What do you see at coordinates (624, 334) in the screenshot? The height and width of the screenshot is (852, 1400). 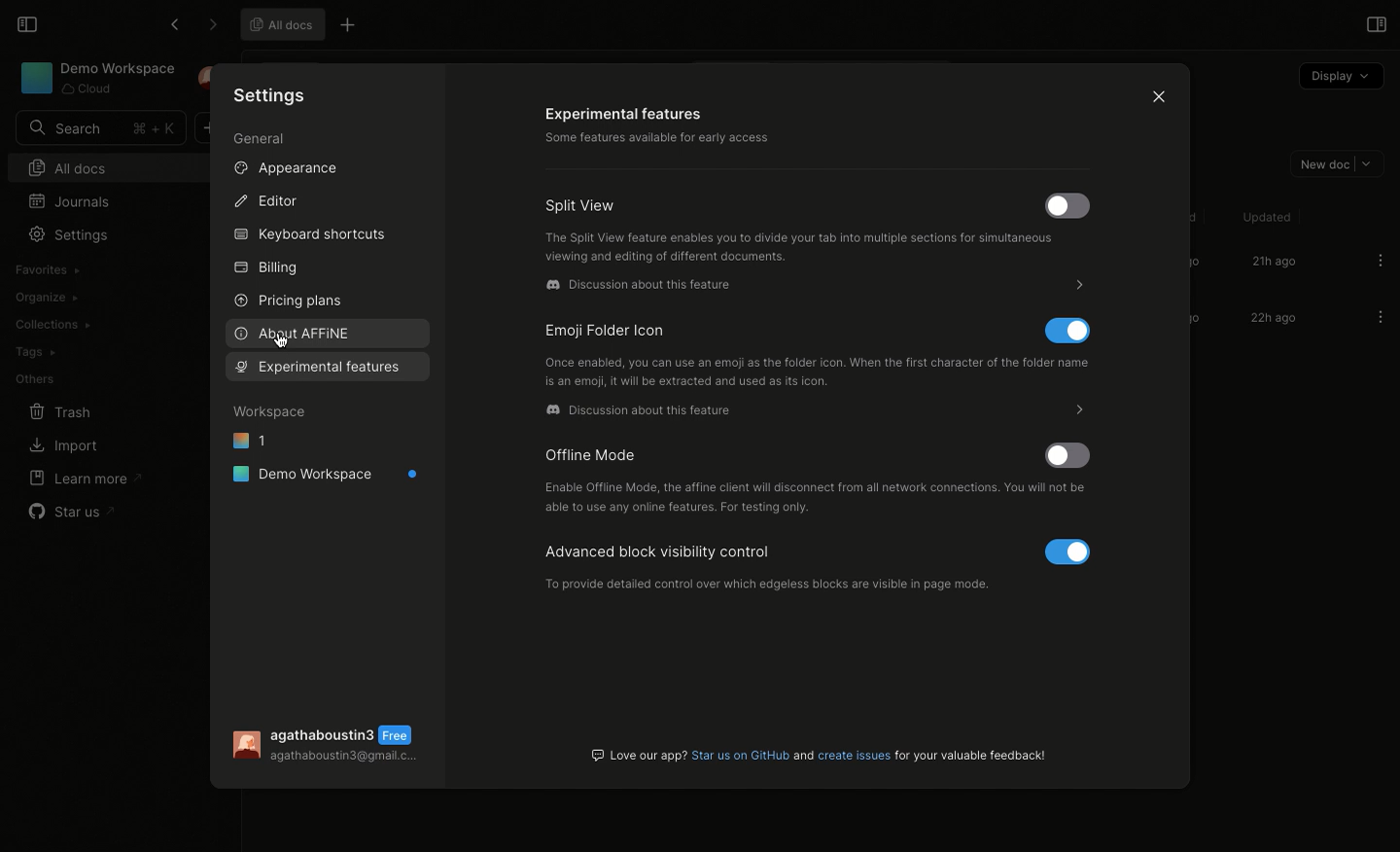 I see `Icon` at bounding box center [624, 334].